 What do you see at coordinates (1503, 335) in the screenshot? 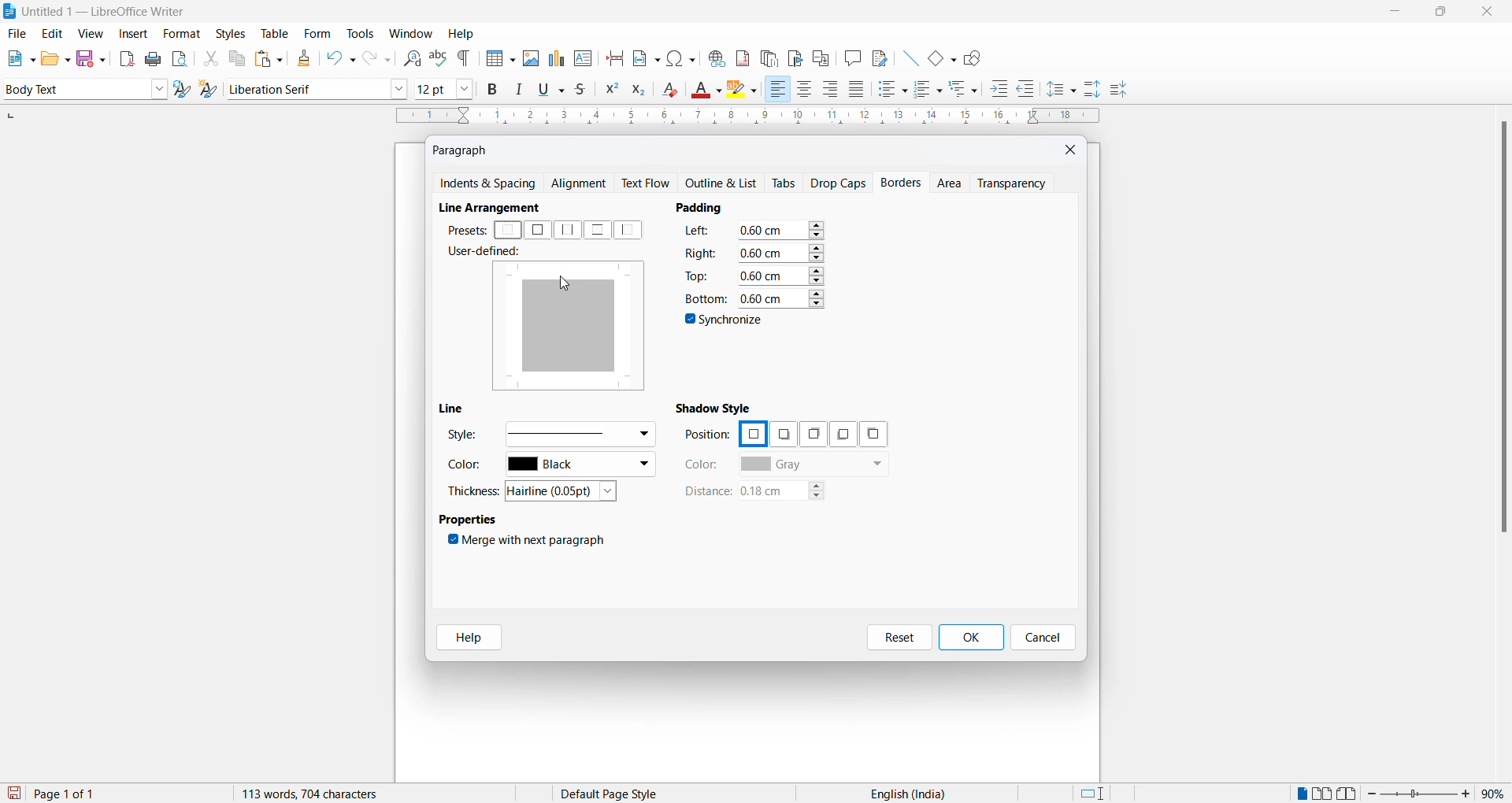
I see `scrollbar` at bounding box center [1503, 335].